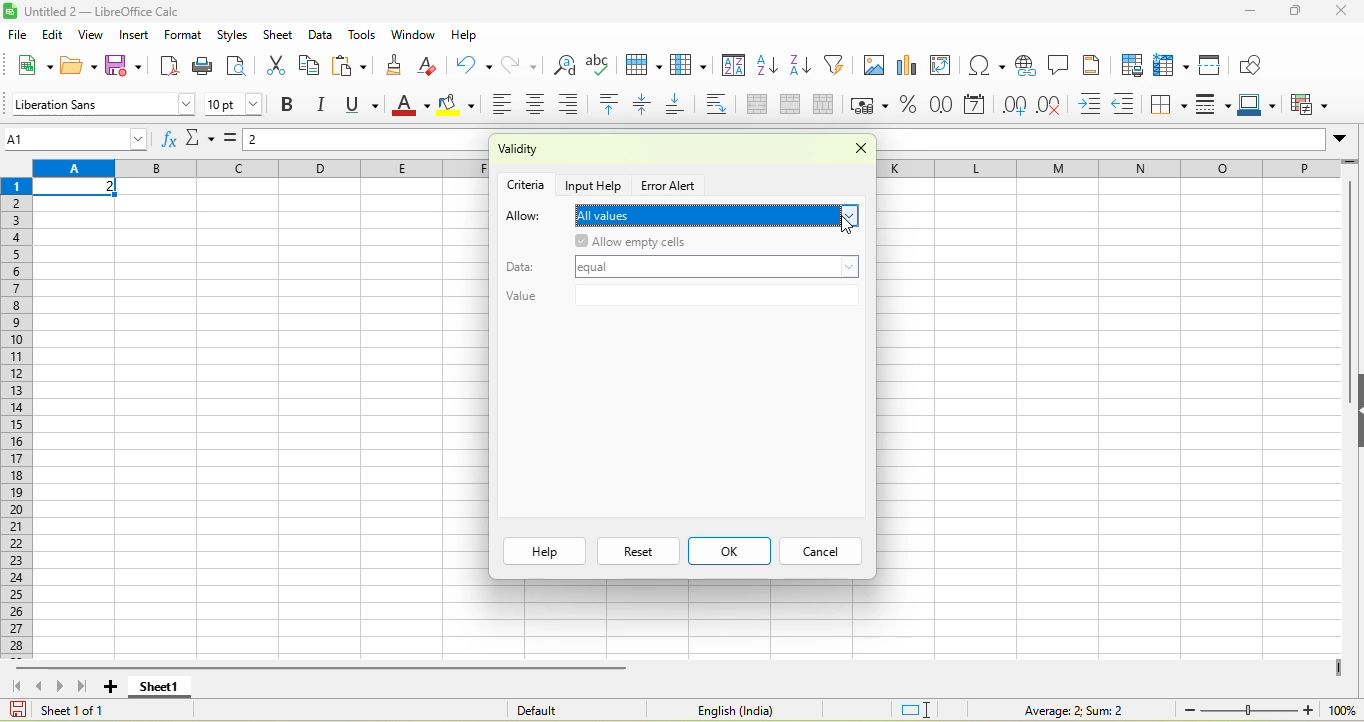 This screenshot has height=722, width=1364. I want to click on merge, so click(796, 106).